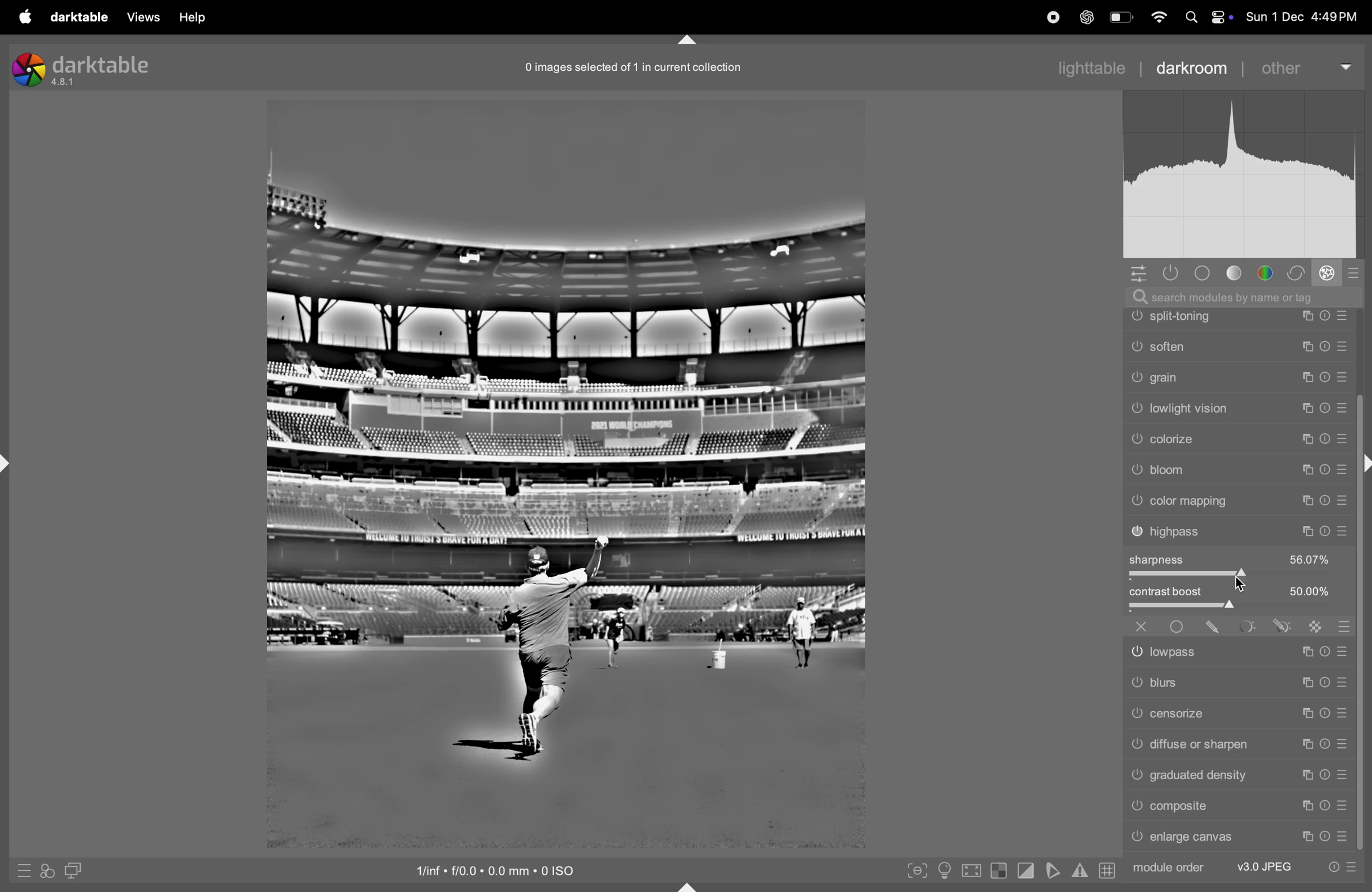  Describe the element at coordinates (79, 17) in the screenshot. I see `darktable` at that location.